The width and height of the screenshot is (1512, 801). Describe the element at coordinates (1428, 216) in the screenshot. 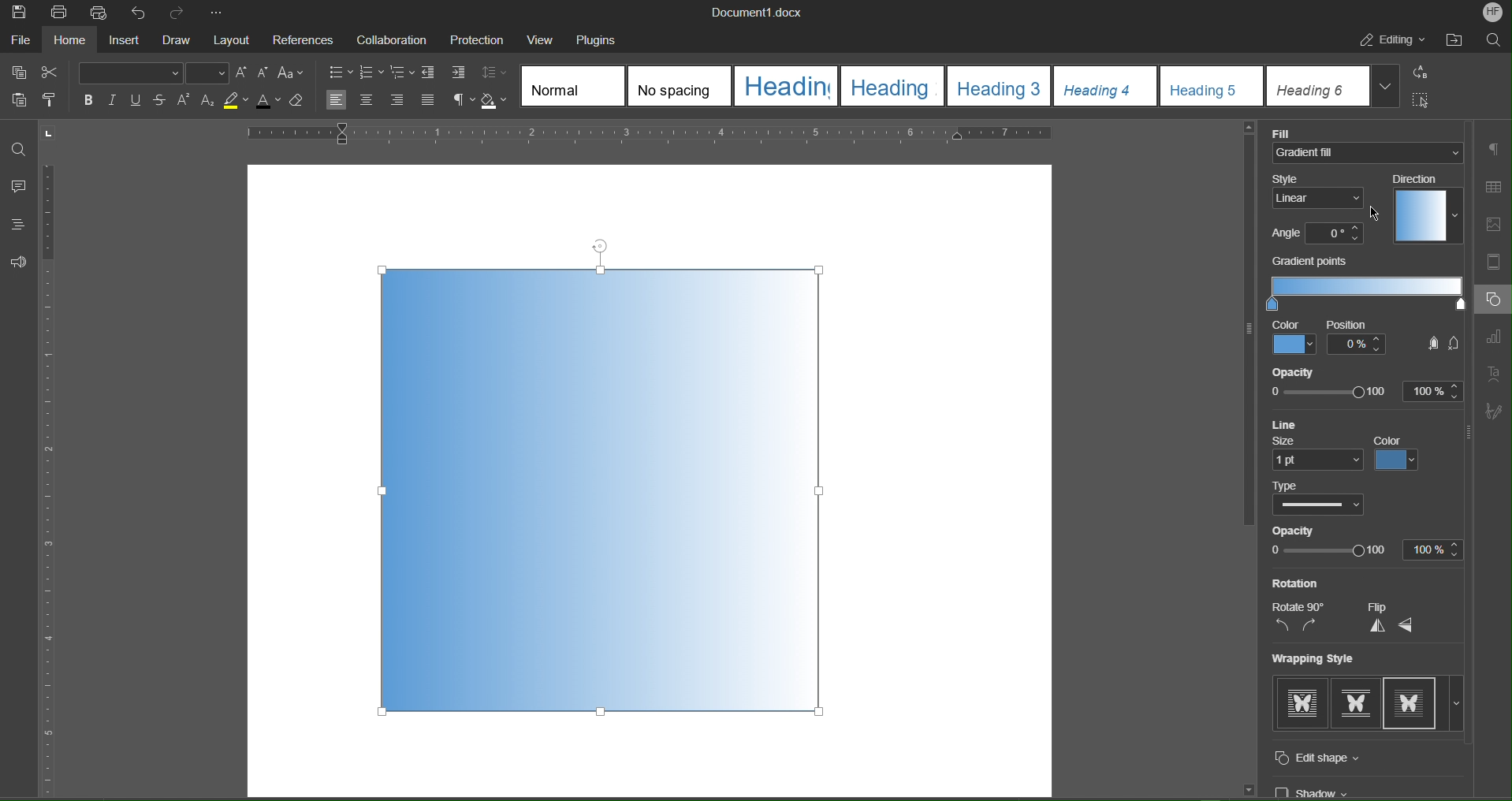

I see `Direct options` at that location.